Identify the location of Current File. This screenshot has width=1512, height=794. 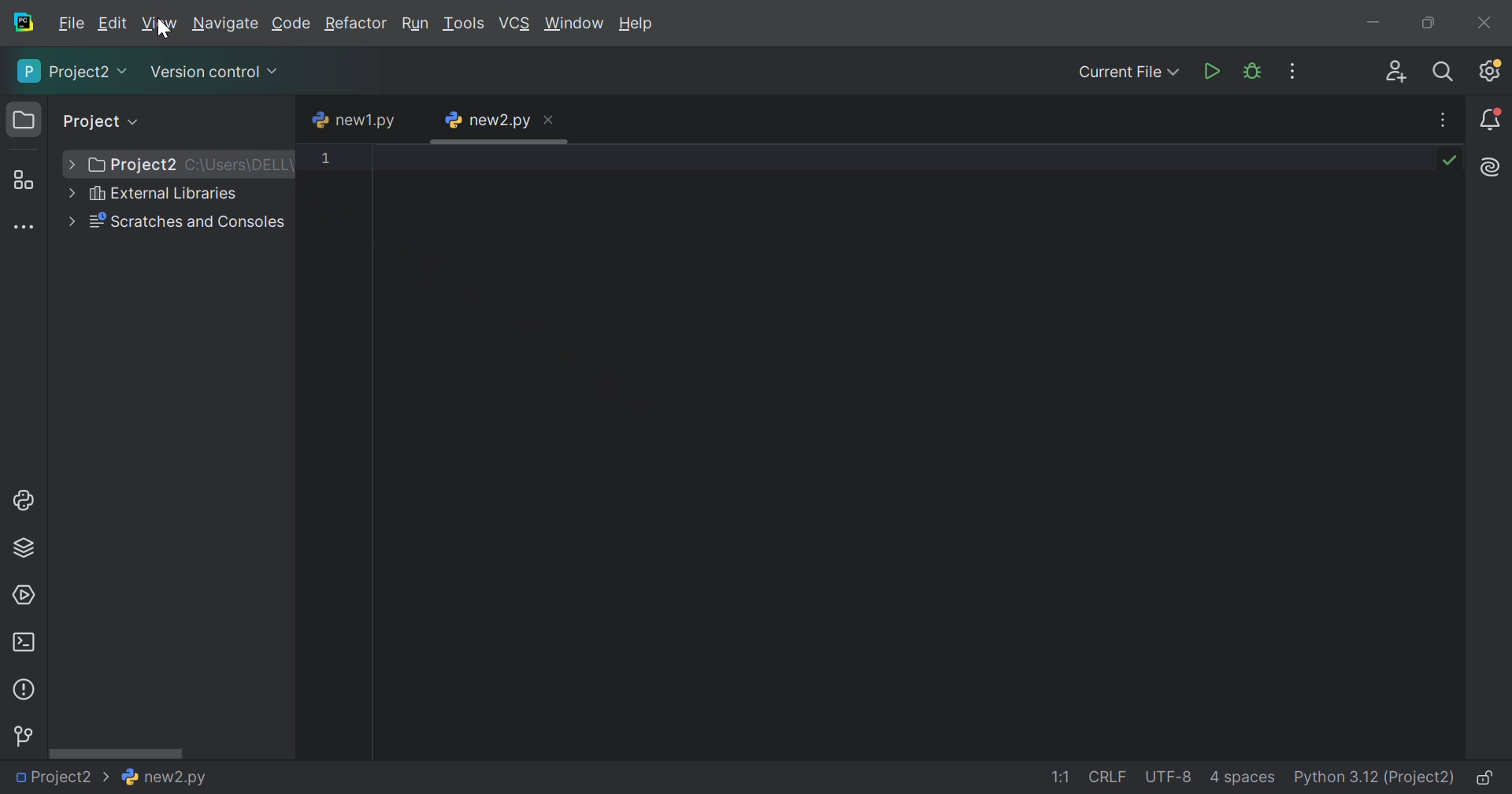
(1128, 73).